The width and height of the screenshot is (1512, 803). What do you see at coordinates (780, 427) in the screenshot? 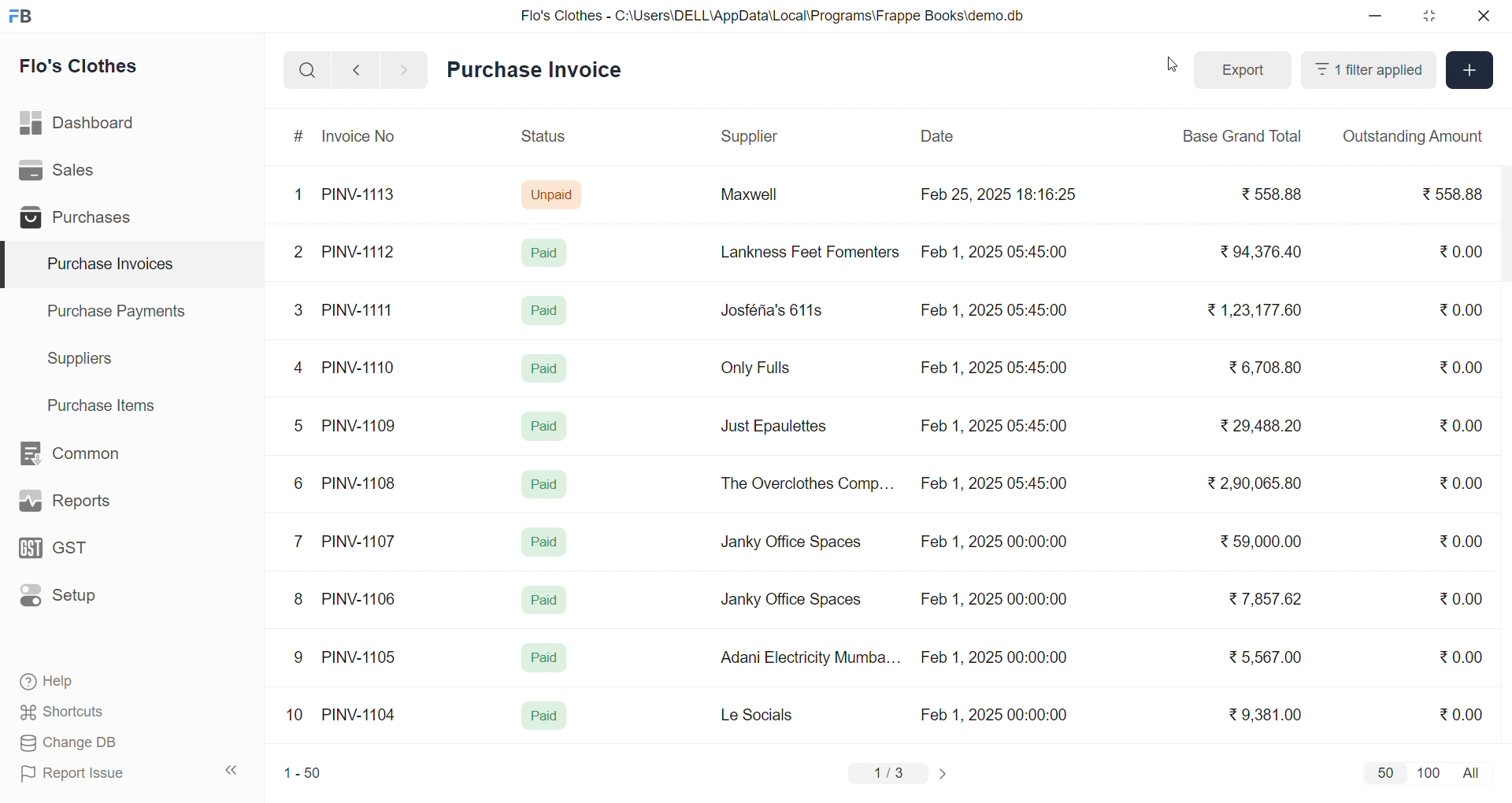
I see `Just Epaulettes` at bounding box center [780, 427].